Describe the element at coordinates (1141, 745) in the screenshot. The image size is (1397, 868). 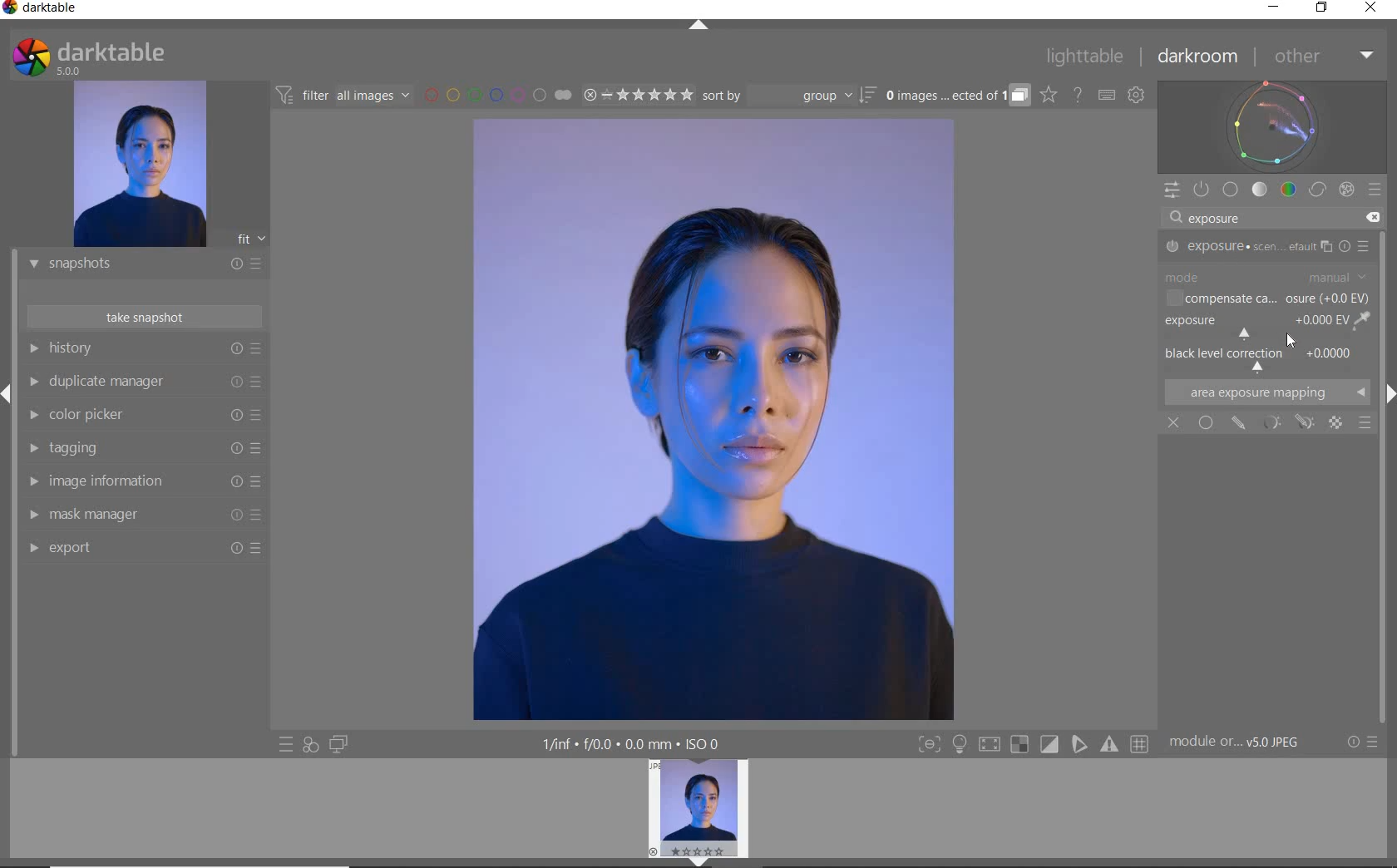
I see `Button` at that location.